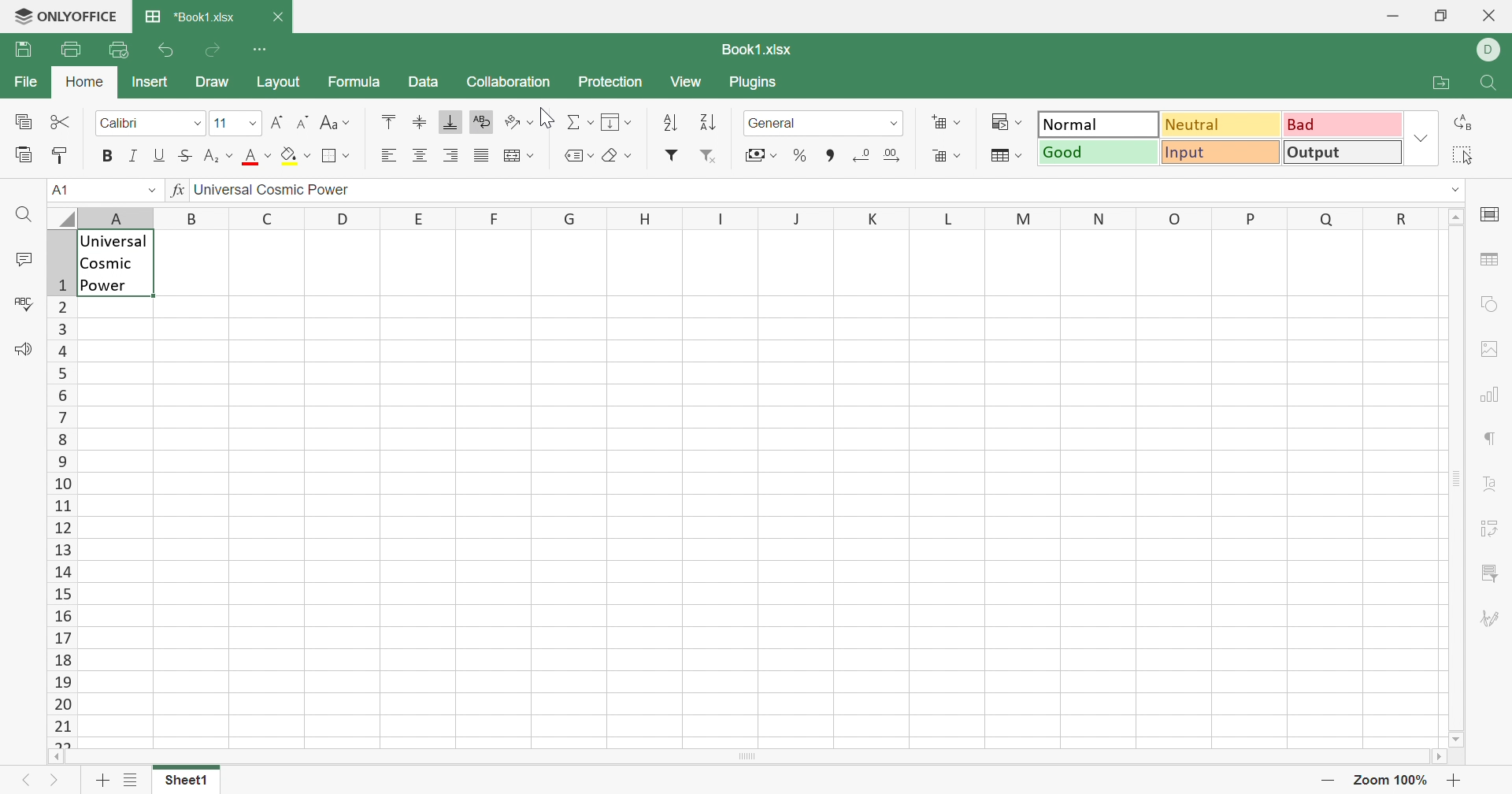 This screenshot has width=1512, height=794. What do you see at coordinates (760, 86) in the screenshot?
I see `Plugins` at bounding box center [760, 86].